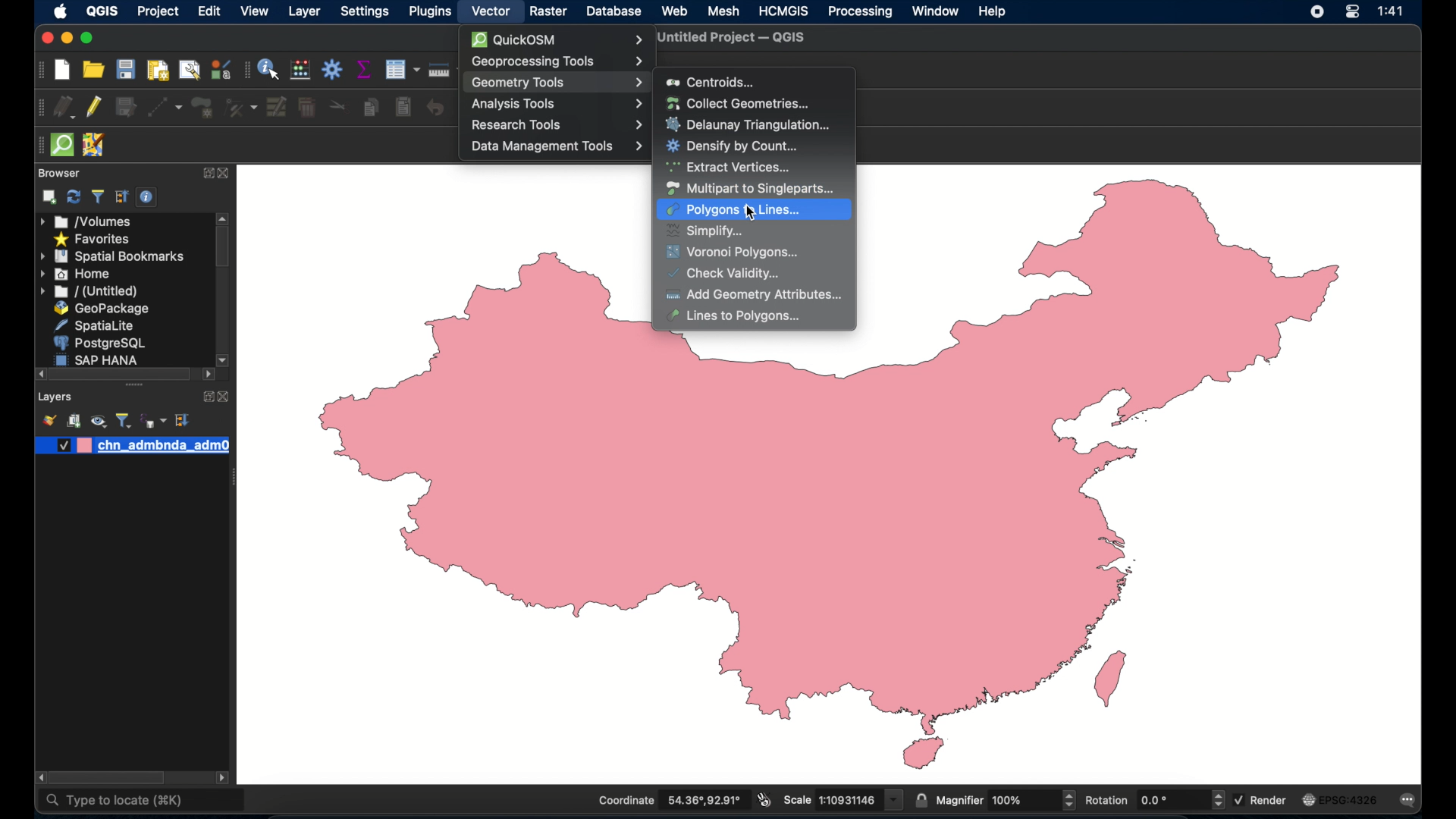 The height and width of the screenshot is (819, 1456). Describe the element at coordinates (158, 13) in the screenshot. I see `project` at that location.